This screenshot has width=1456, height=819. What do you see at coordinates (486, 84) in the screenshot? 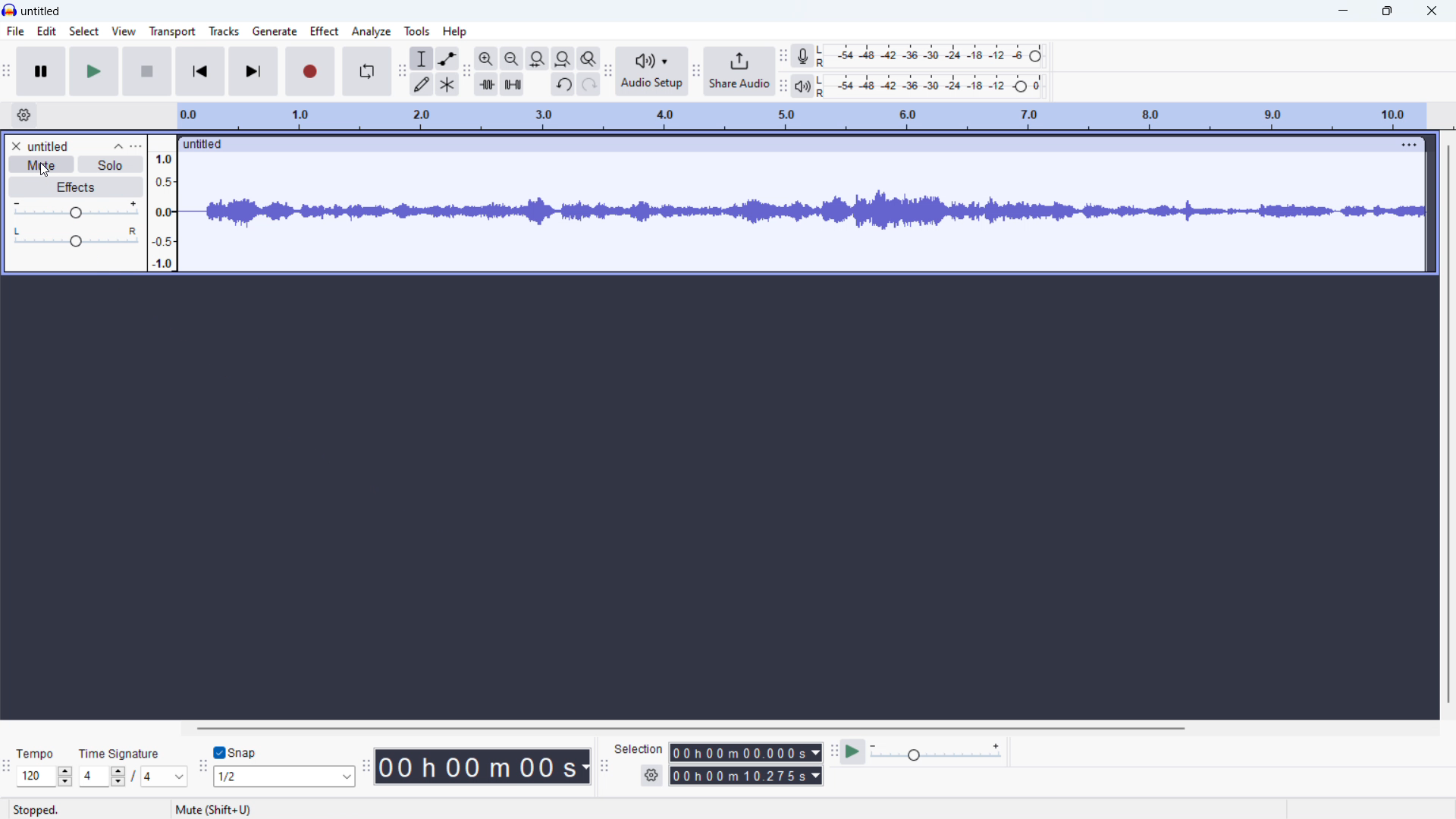
I see `trim audio outsside selction` at bounding box center [486, 84].